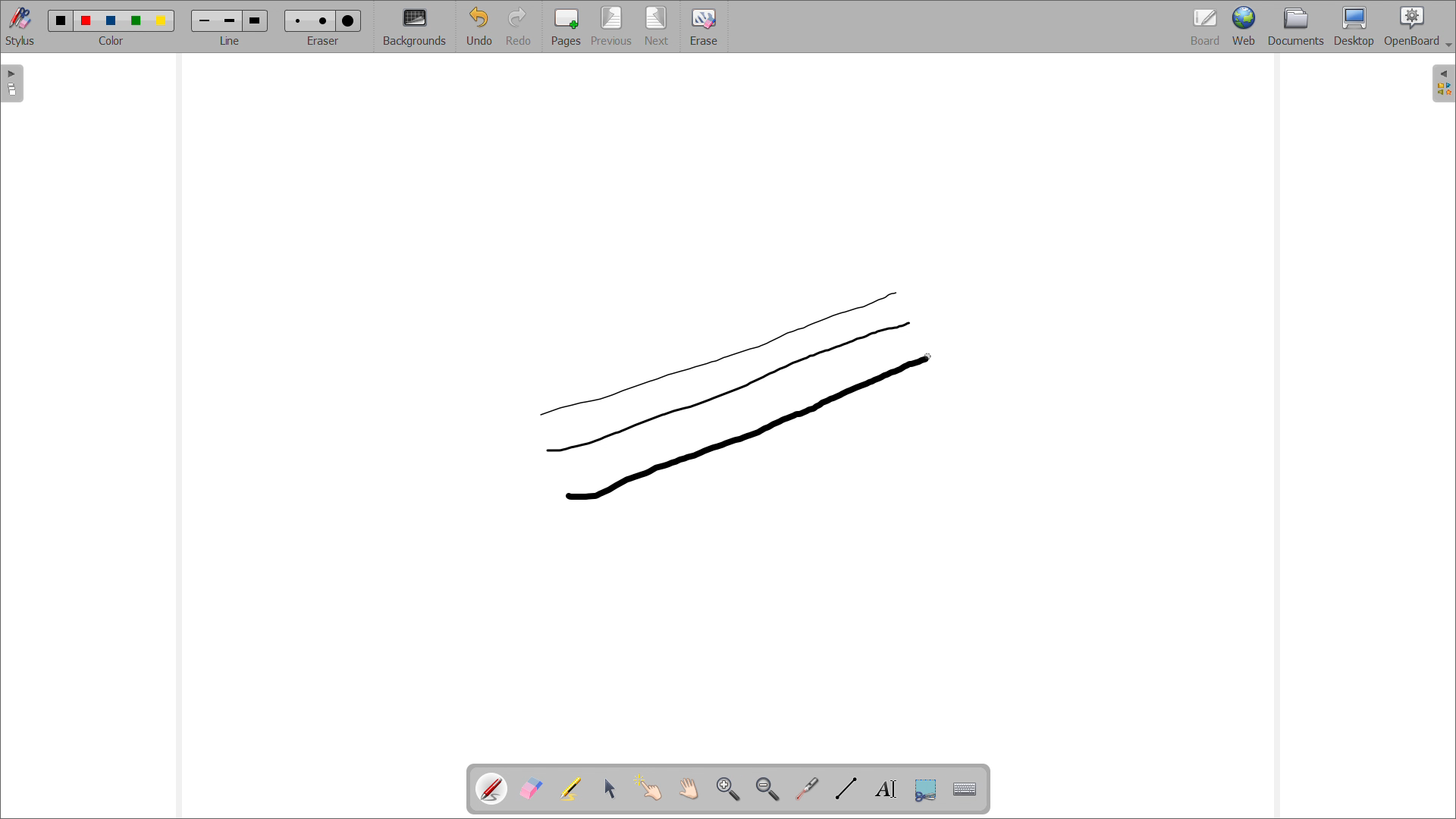 This screenshot has height=819, width=1456. What do you see at coordinates (1244, 27) in the screenshot?
I see `web` at bounding box center [1244, 27].